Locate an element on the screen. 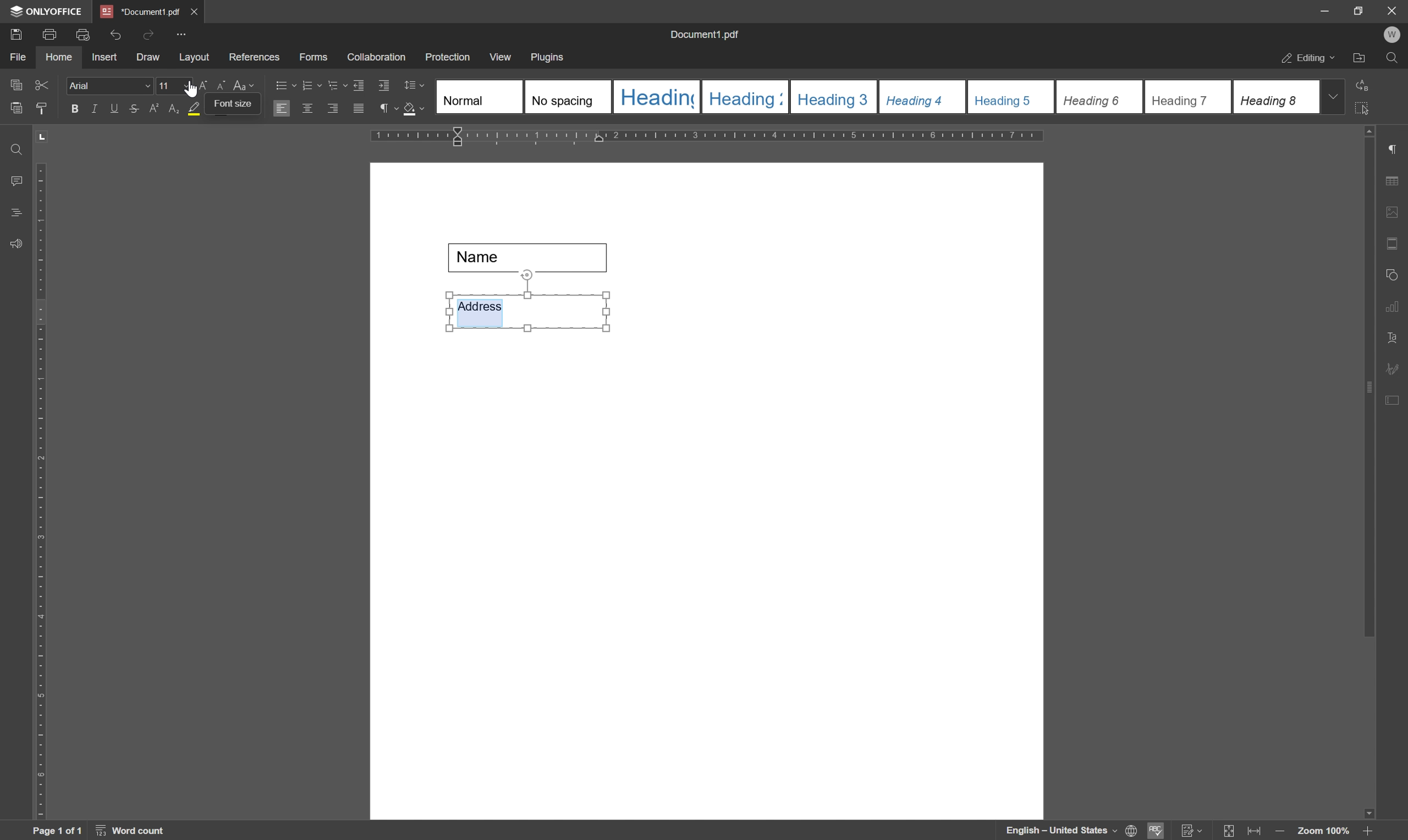 The image size is (1408, 840). word count is located at coordinates (134, 831).